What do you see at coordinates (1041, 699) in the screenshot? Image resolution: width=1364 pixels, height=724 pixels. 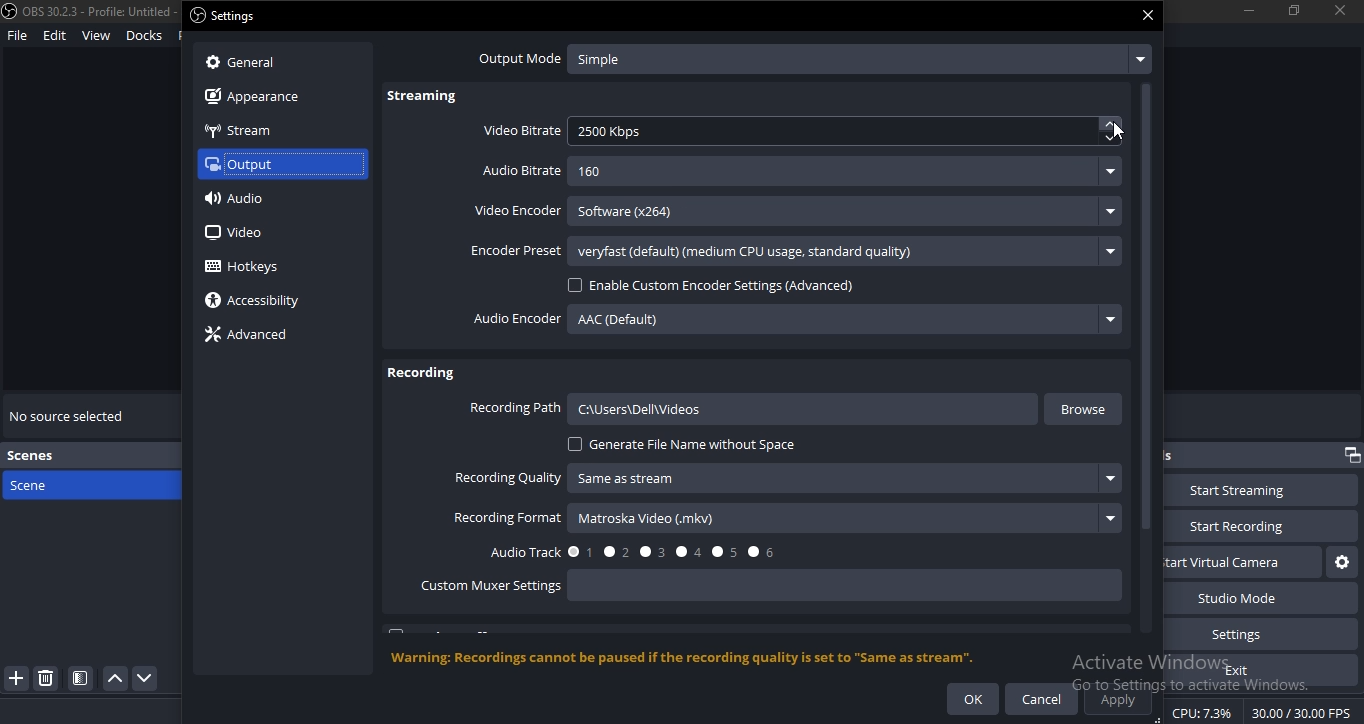 I see `cancel` at bounding box center [1041, 699].